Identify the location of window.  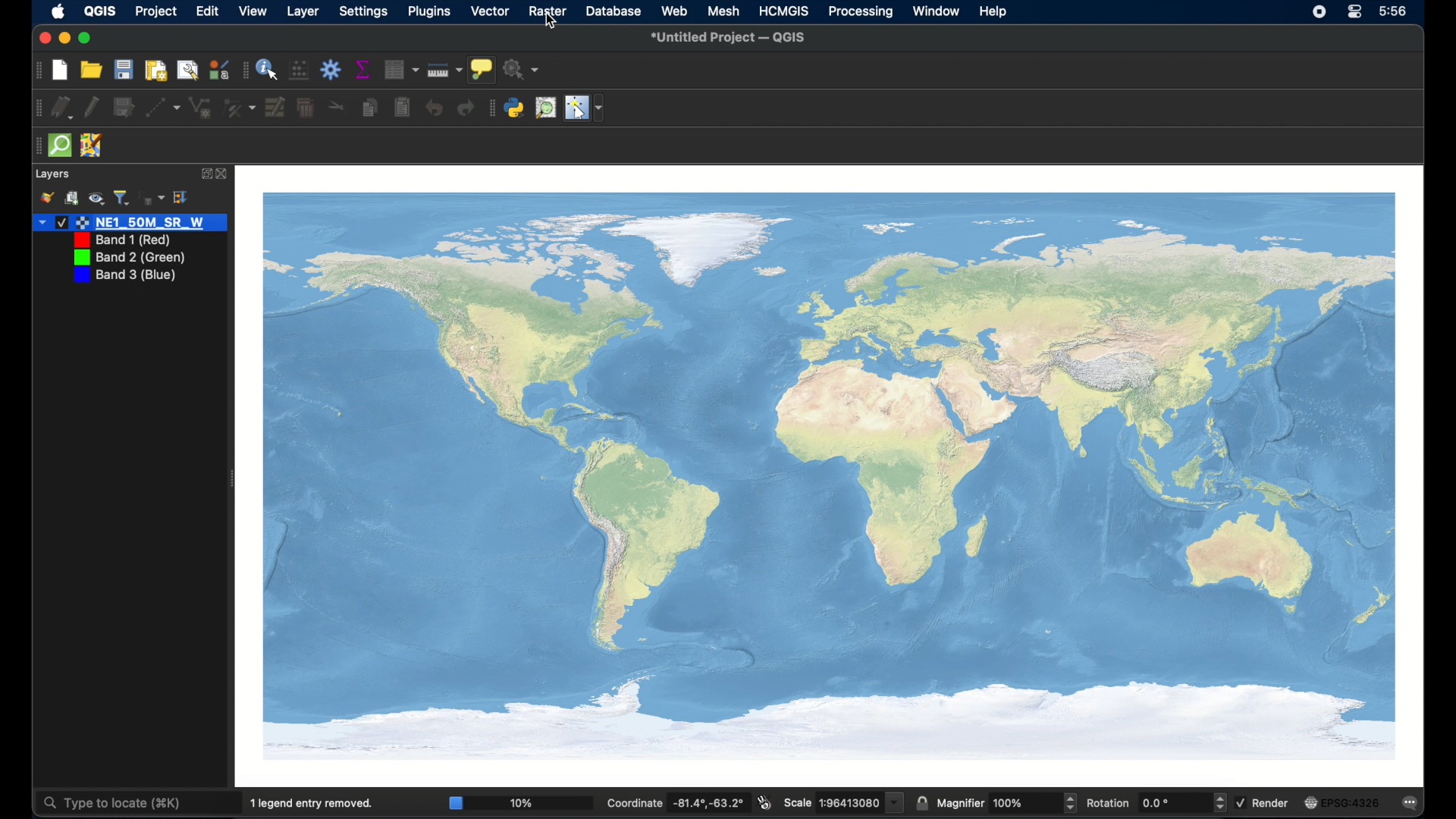
(937, 12).